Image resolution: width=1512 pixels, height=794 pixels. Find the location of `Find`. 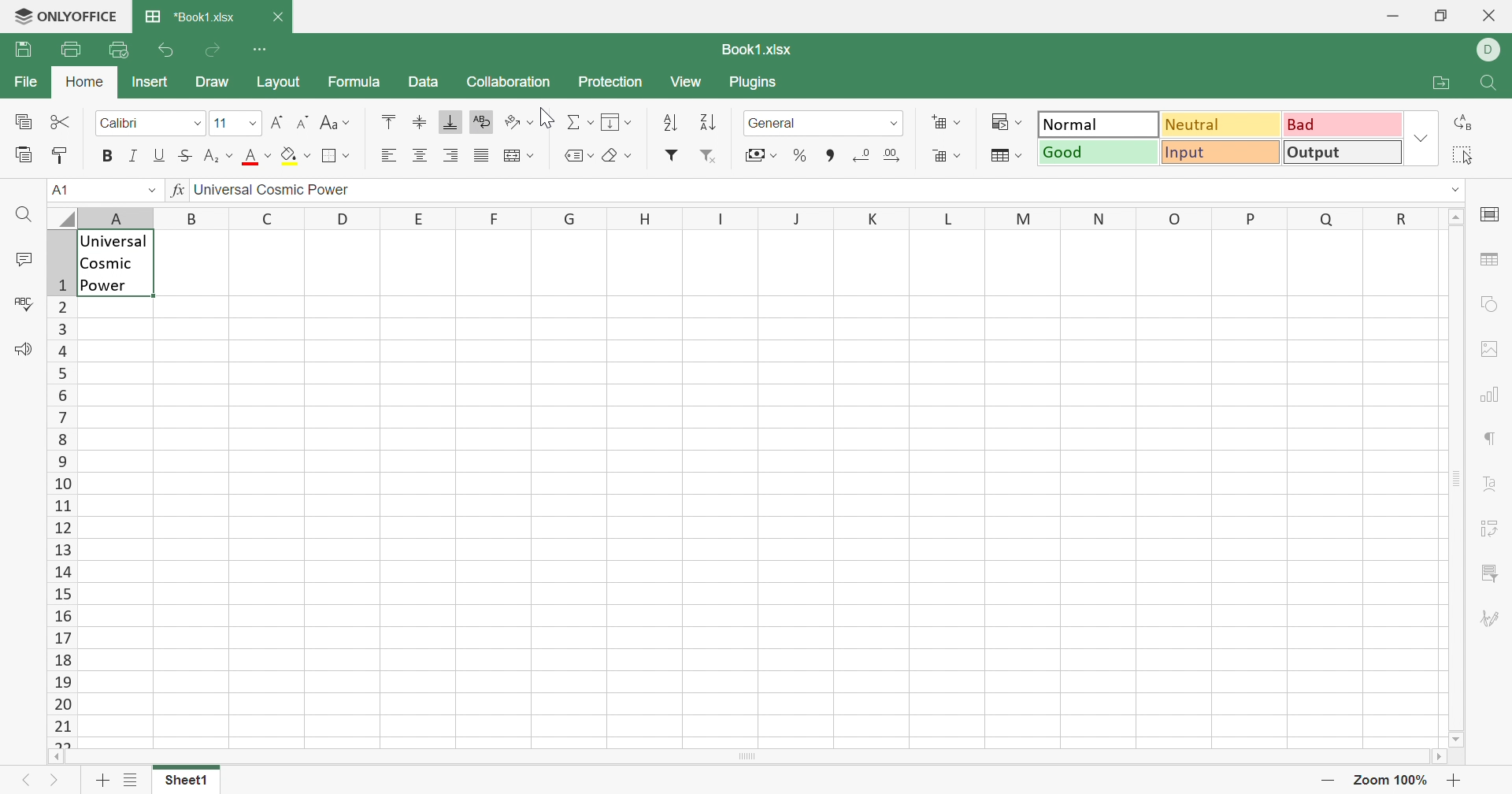

Find is located at coordinates (1494, 86).